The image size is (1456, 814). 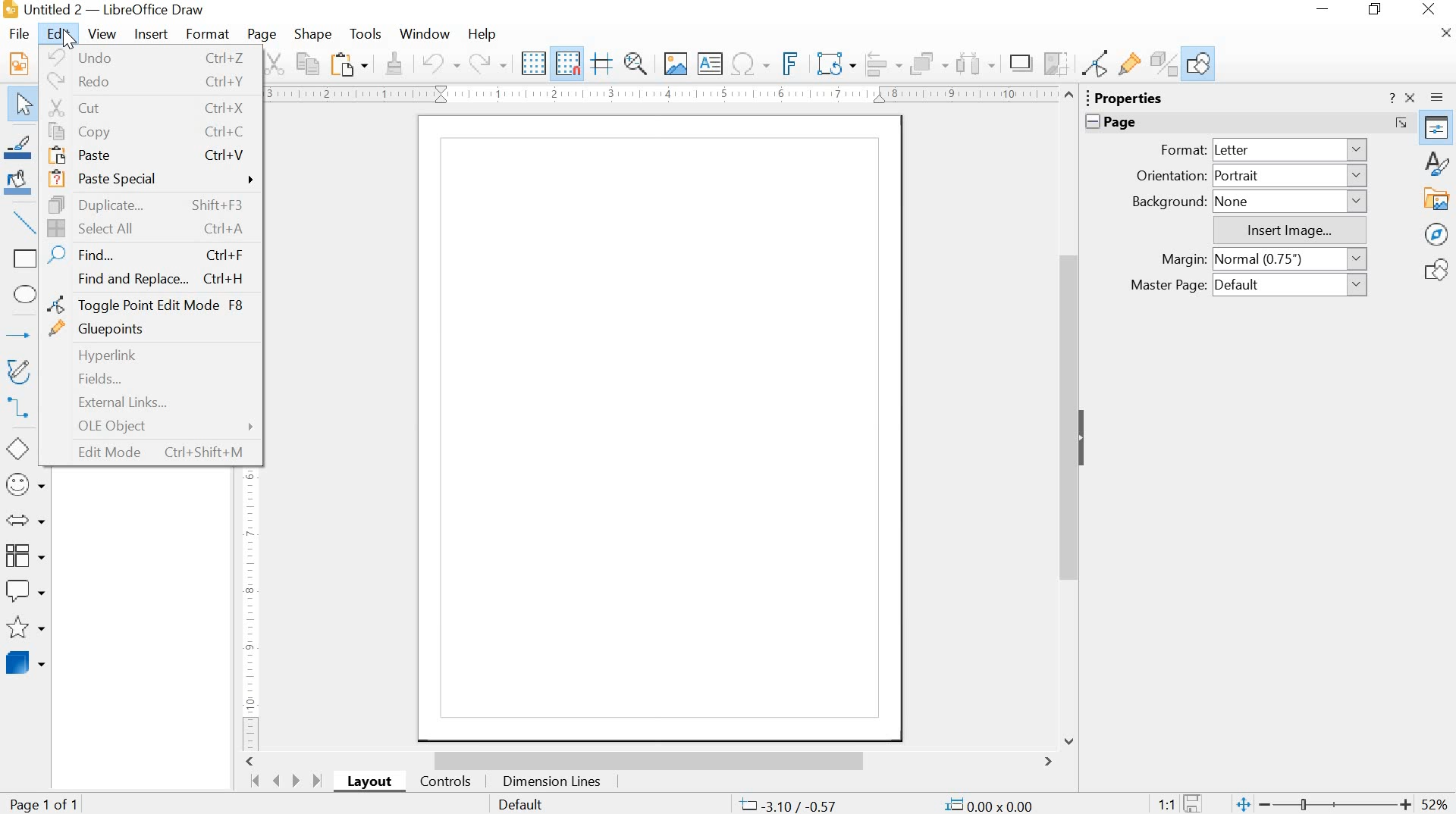 I want to click on Rectangle (double click for multi-selection), so click(x=25, y=258).